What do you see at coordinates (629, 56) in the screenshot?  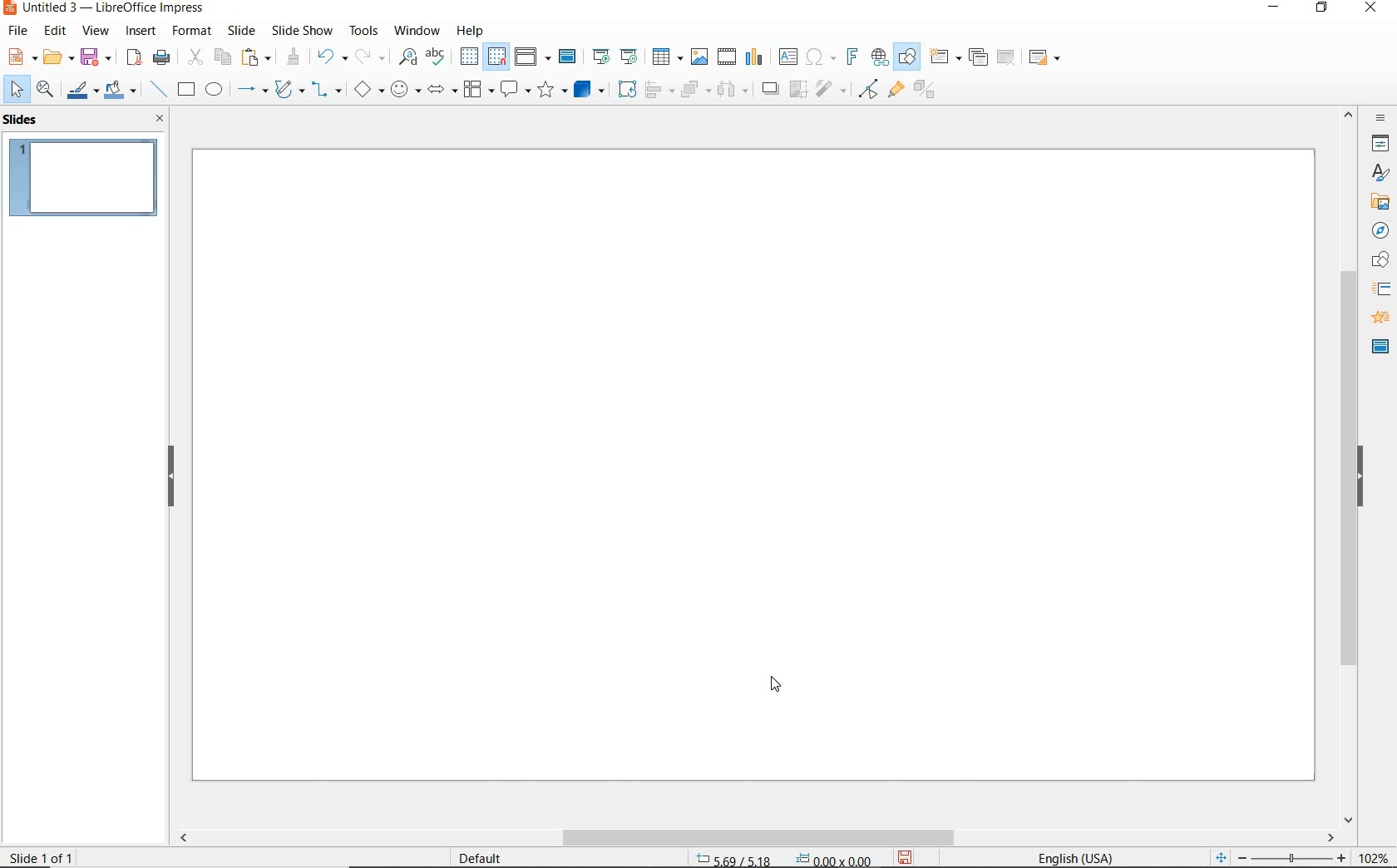 I see `START FROM CURRENT SLIDE` at bounding box center [629, 56].